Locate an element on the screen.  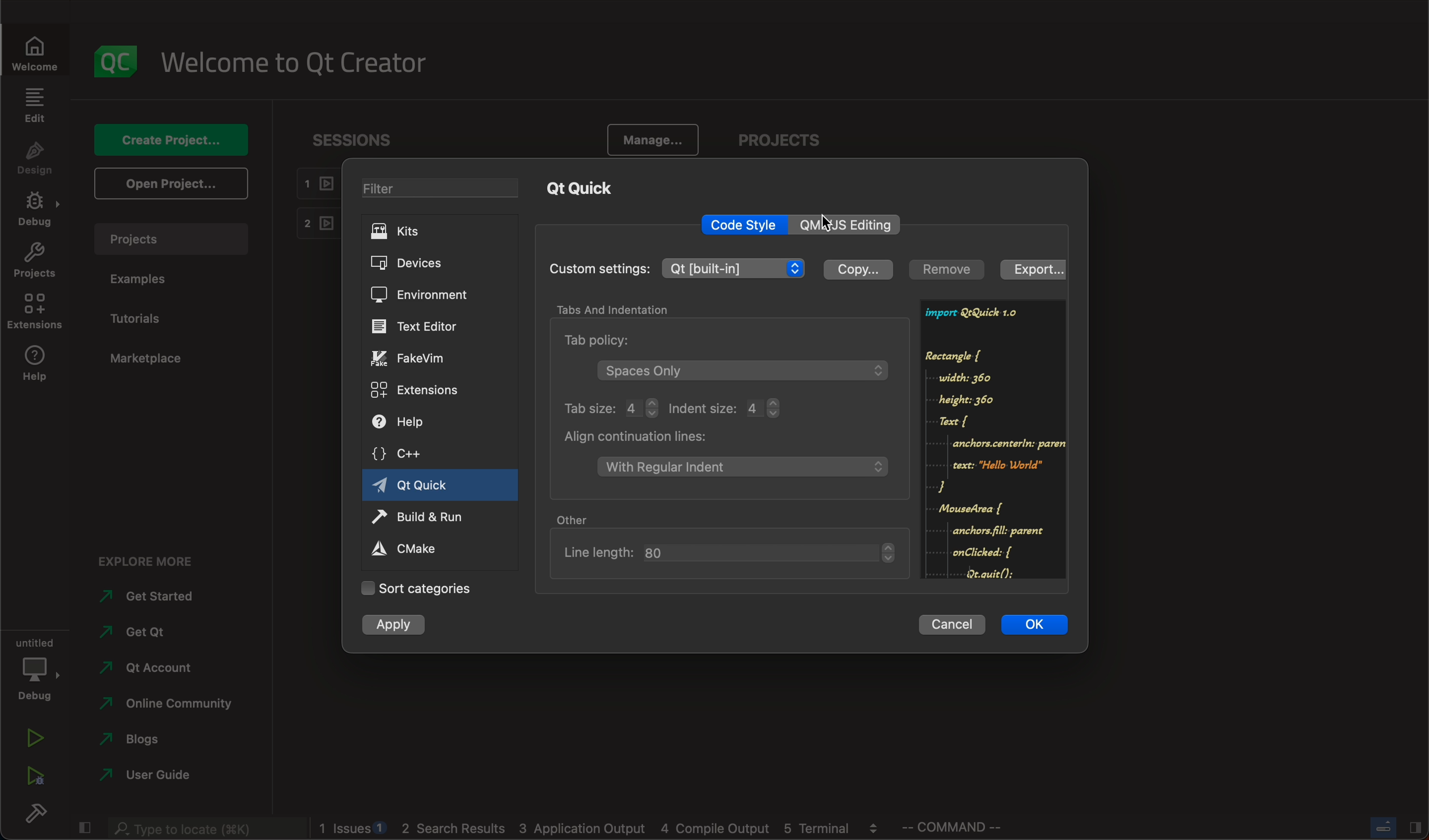
size is located at coordinates (686, 408).